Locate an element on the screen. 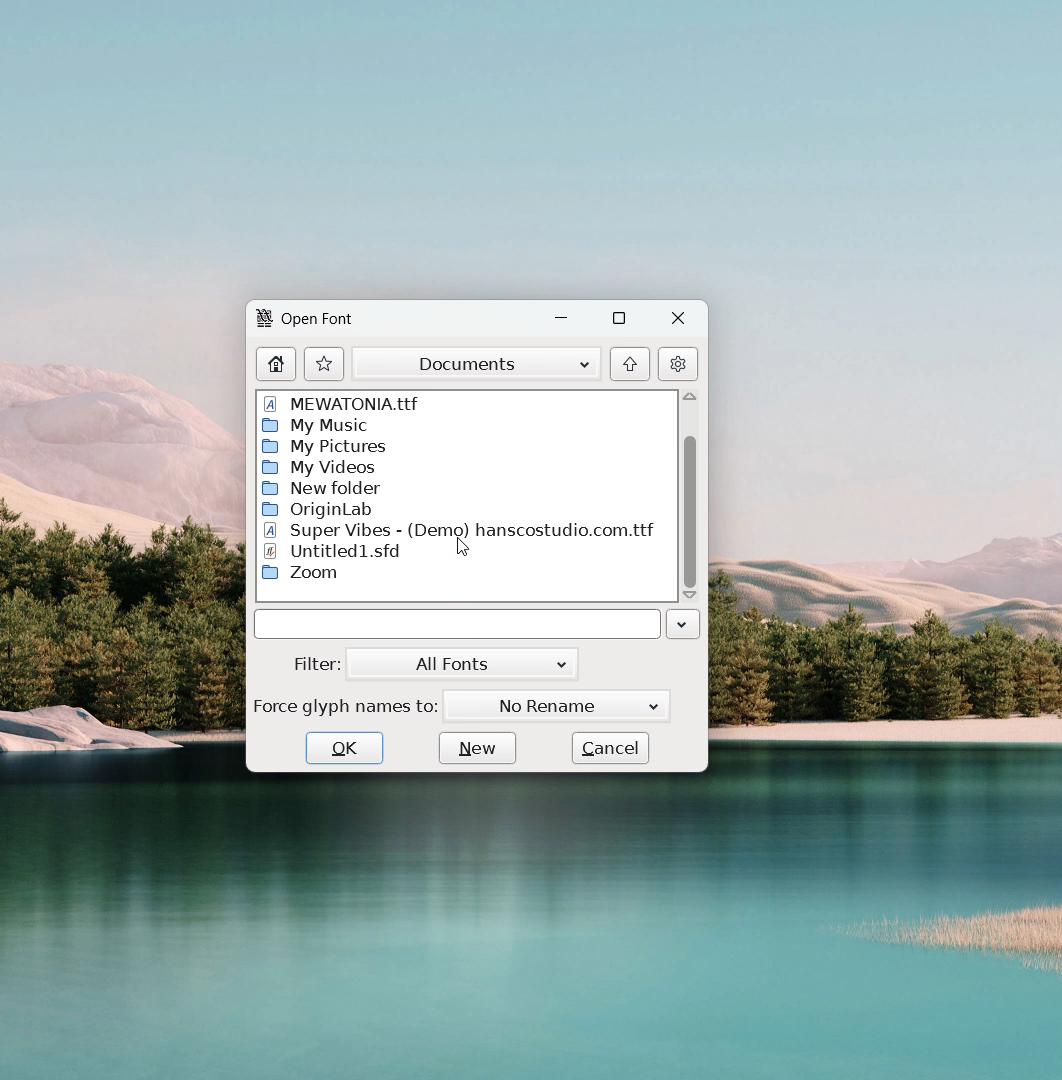 This screenshot has width=1062, height=1080. new is located at coordinates (477, 748).